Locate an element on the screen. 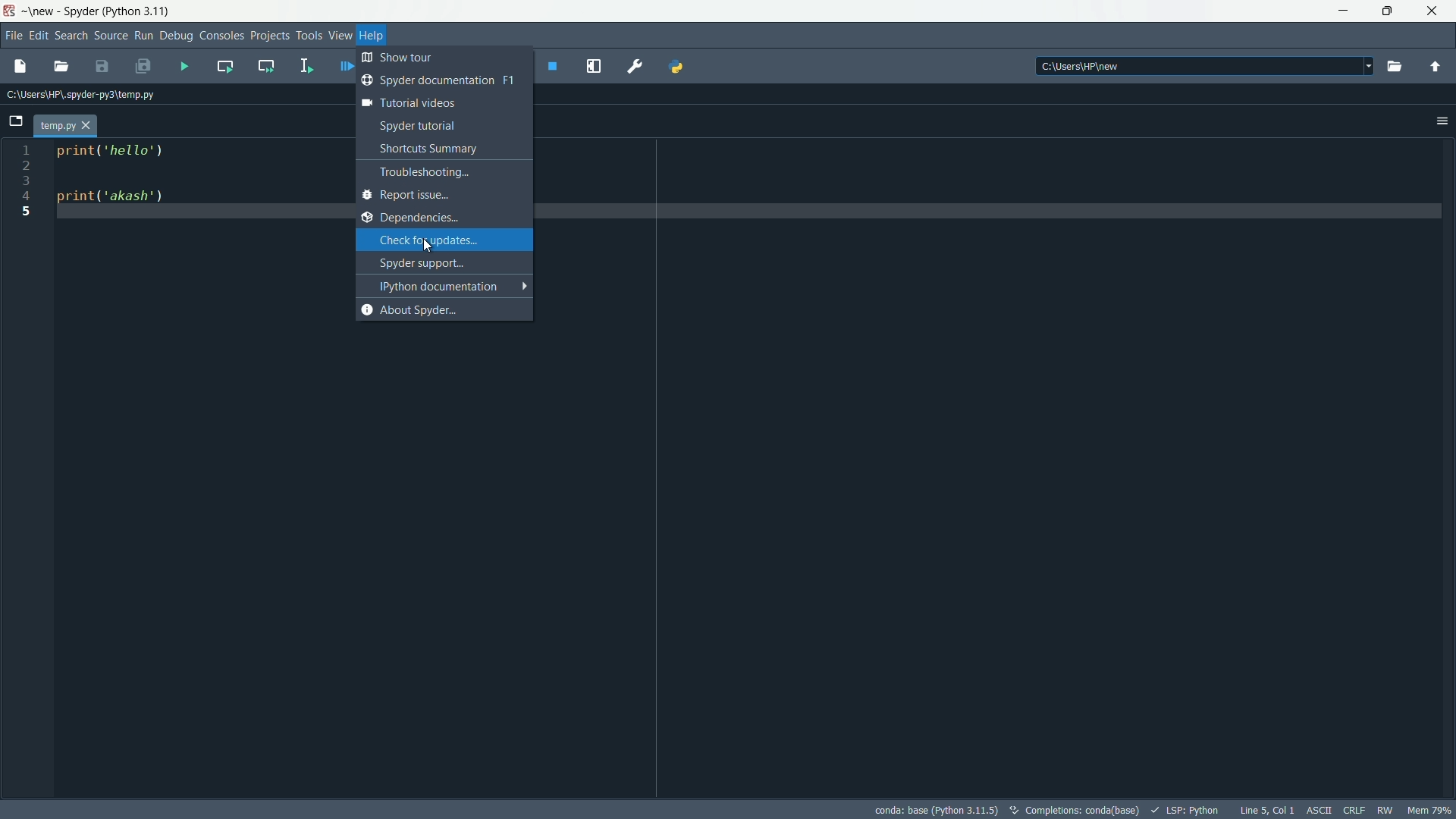 This screenshot has height=819, width=1456. cursoe position is located at coordinates (1265, 810).